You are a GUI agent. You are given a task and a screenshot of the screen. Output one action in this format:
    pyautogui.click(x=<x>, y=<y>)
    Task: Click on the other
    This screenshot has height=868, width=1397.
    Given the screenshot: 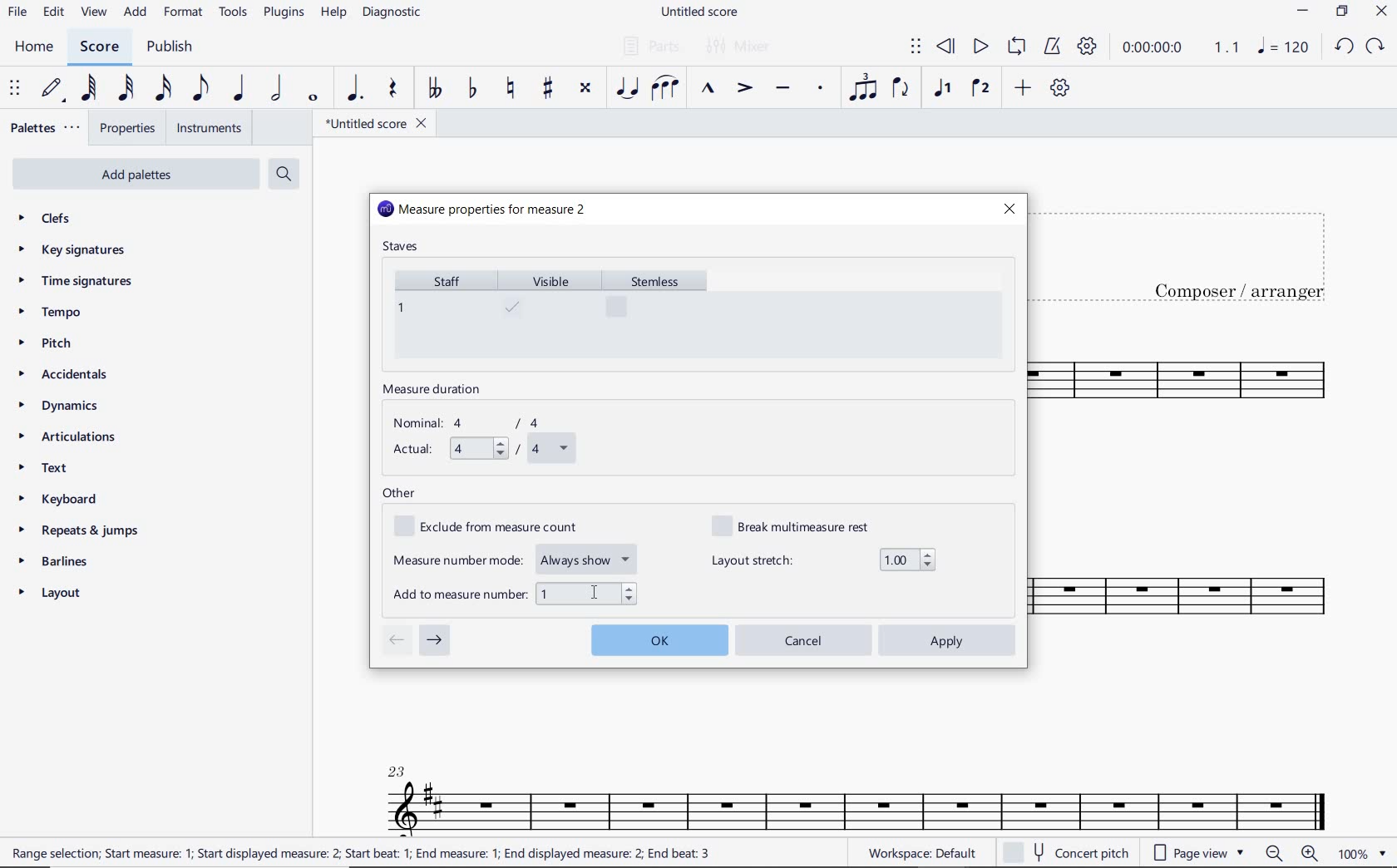 What is the action you would take?
    pyautogui.click(x=399, y=494)
    